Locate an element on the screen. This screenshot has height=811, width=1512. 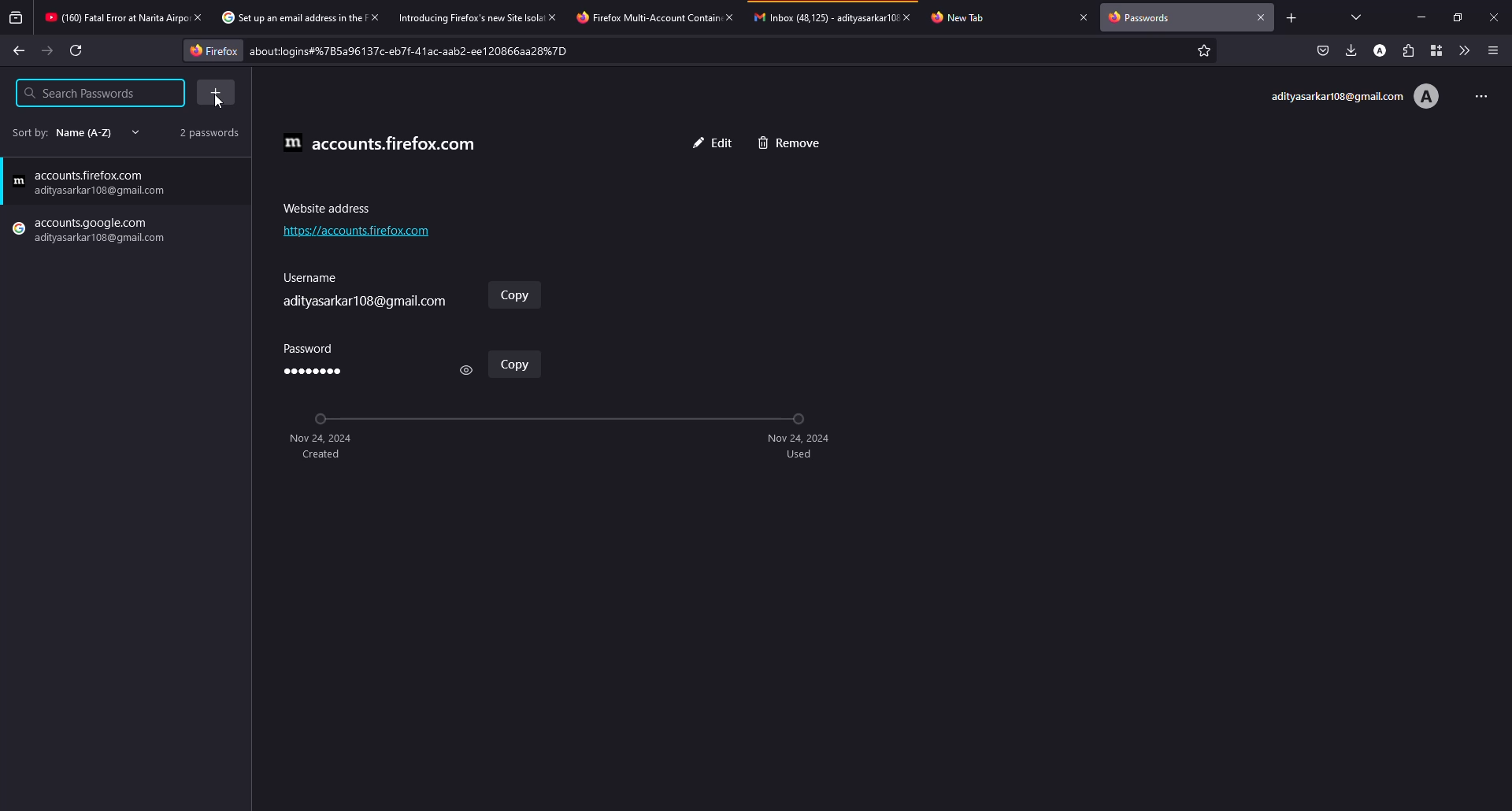
favorites is located at coordinates (1202, 52).